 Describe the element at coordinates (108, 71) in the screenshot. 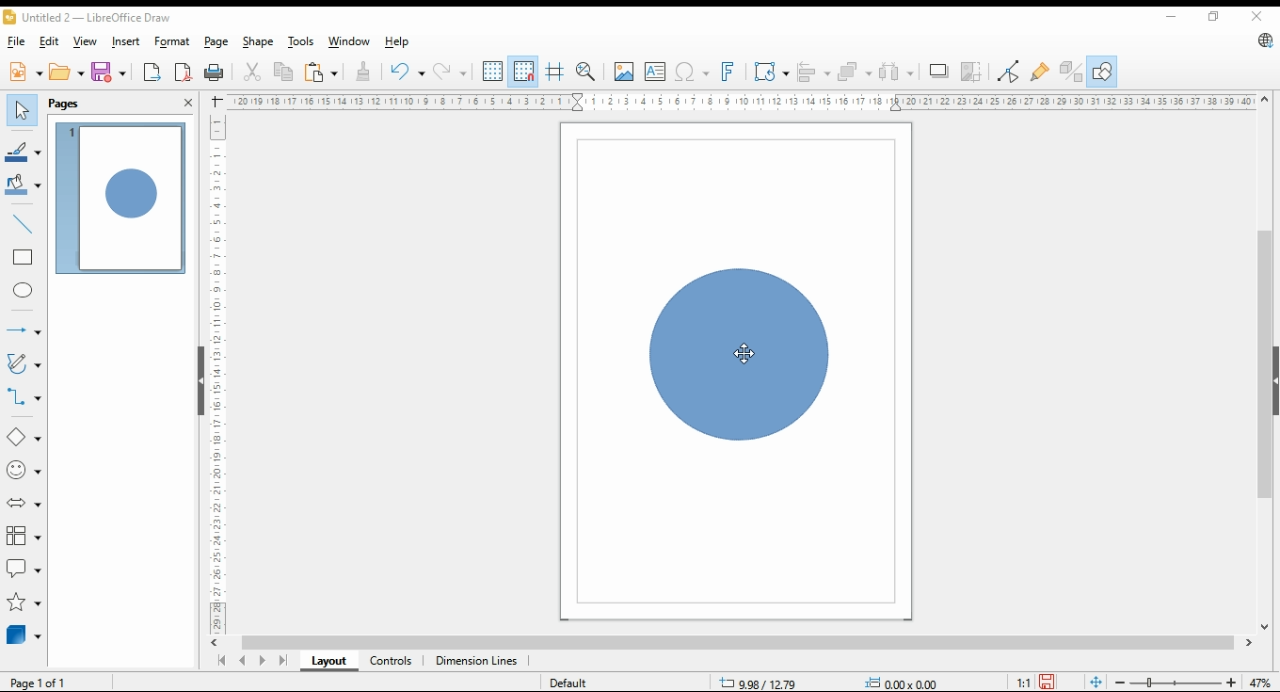

I see `save` at that location.